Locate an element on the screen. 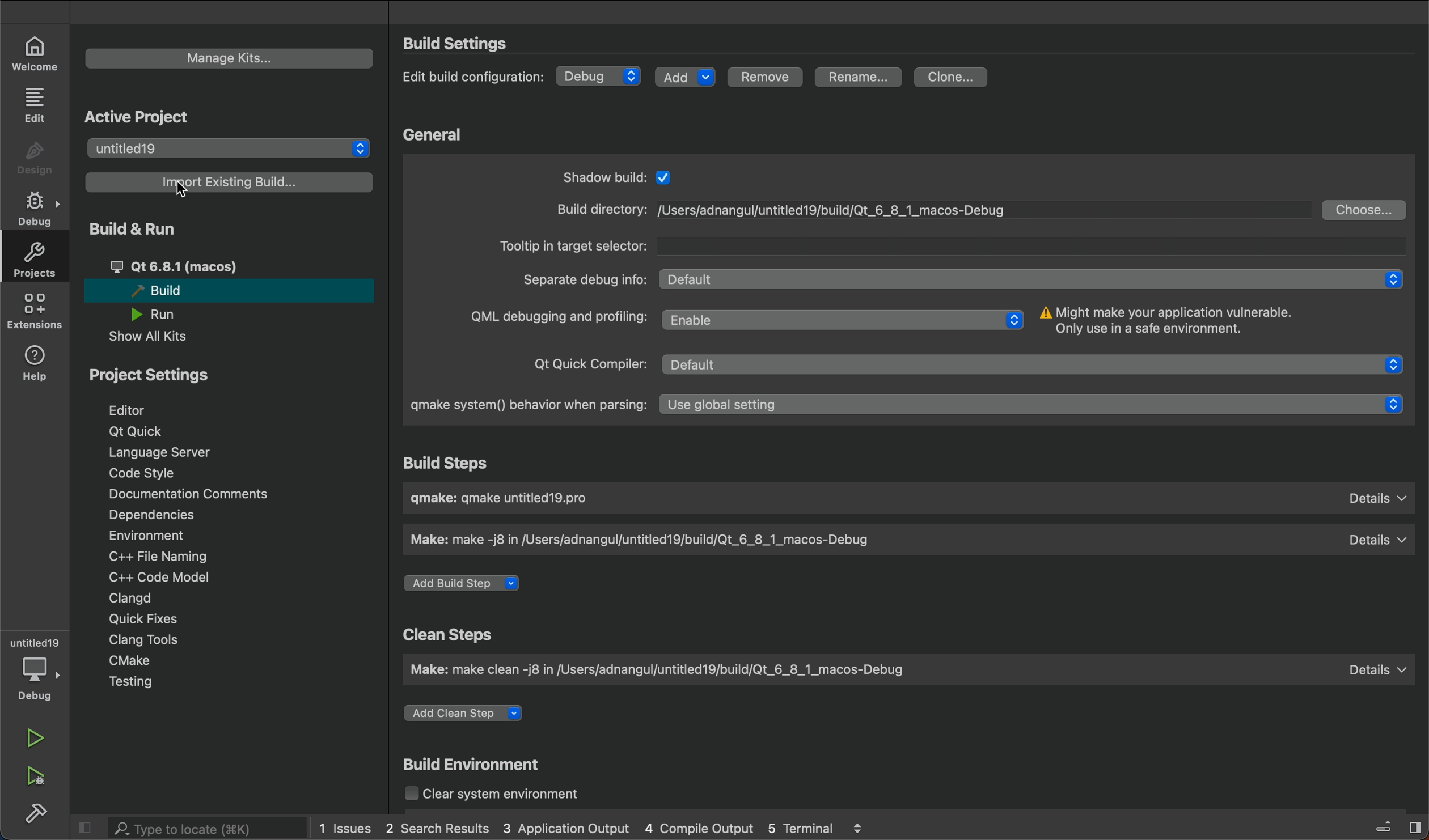  import existing build is located at coordinates (229, 182).